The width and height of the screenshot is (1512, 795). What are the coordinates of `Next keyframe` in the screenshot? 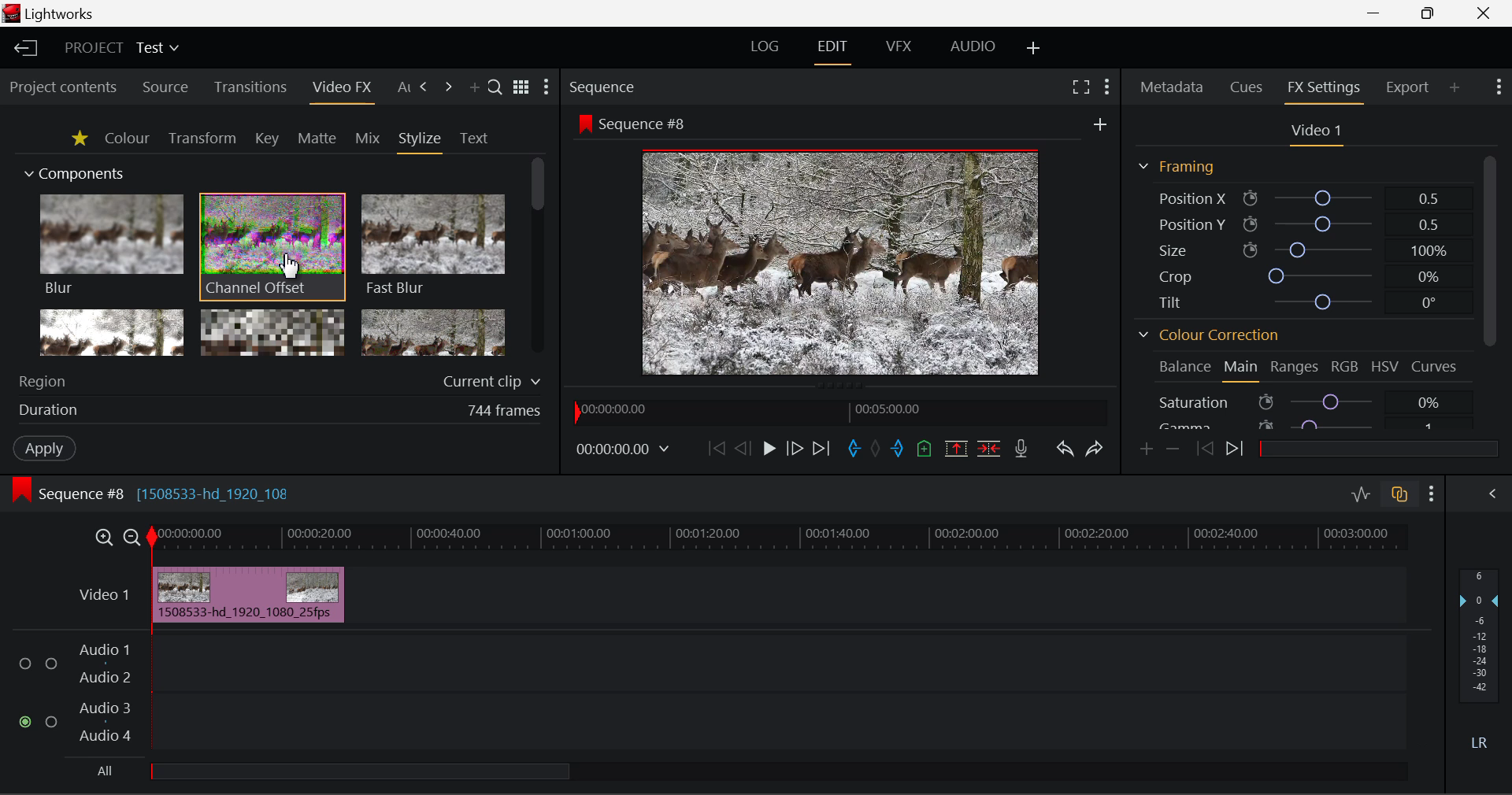 It's located at (1237, 451).